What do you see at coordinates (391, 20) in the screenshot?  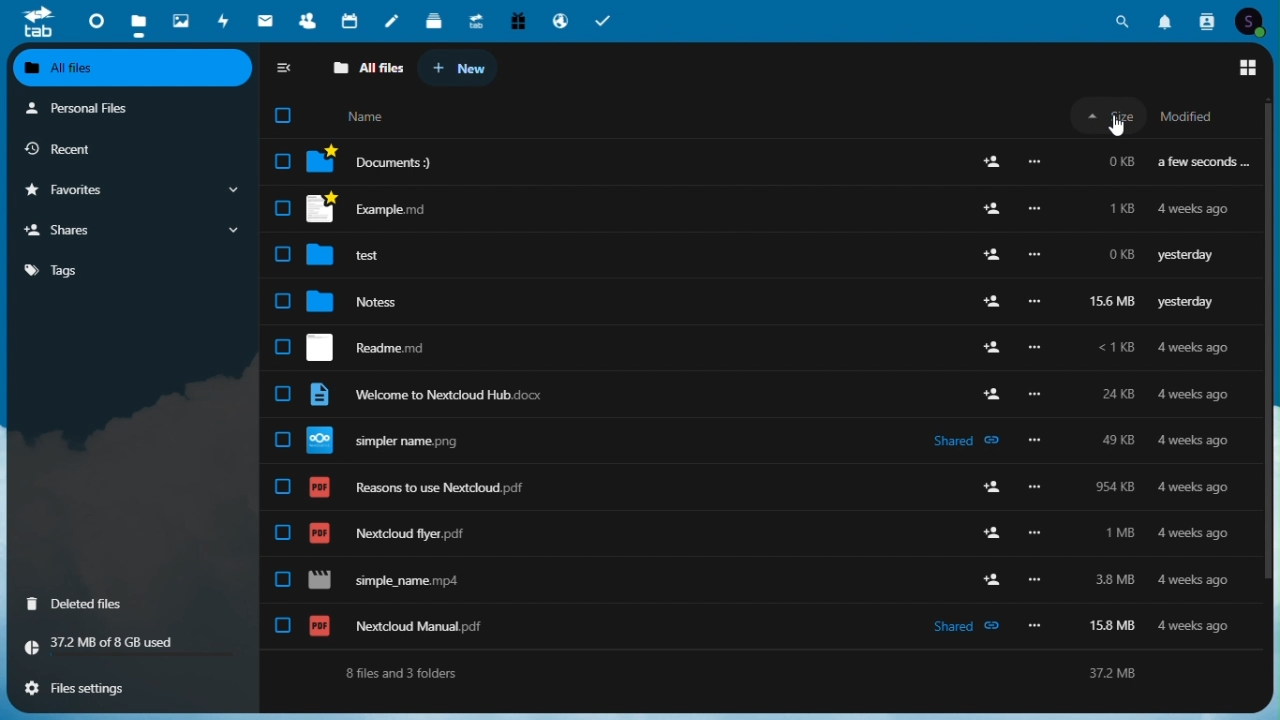 I see `notes` at bounding box center [391, 20].